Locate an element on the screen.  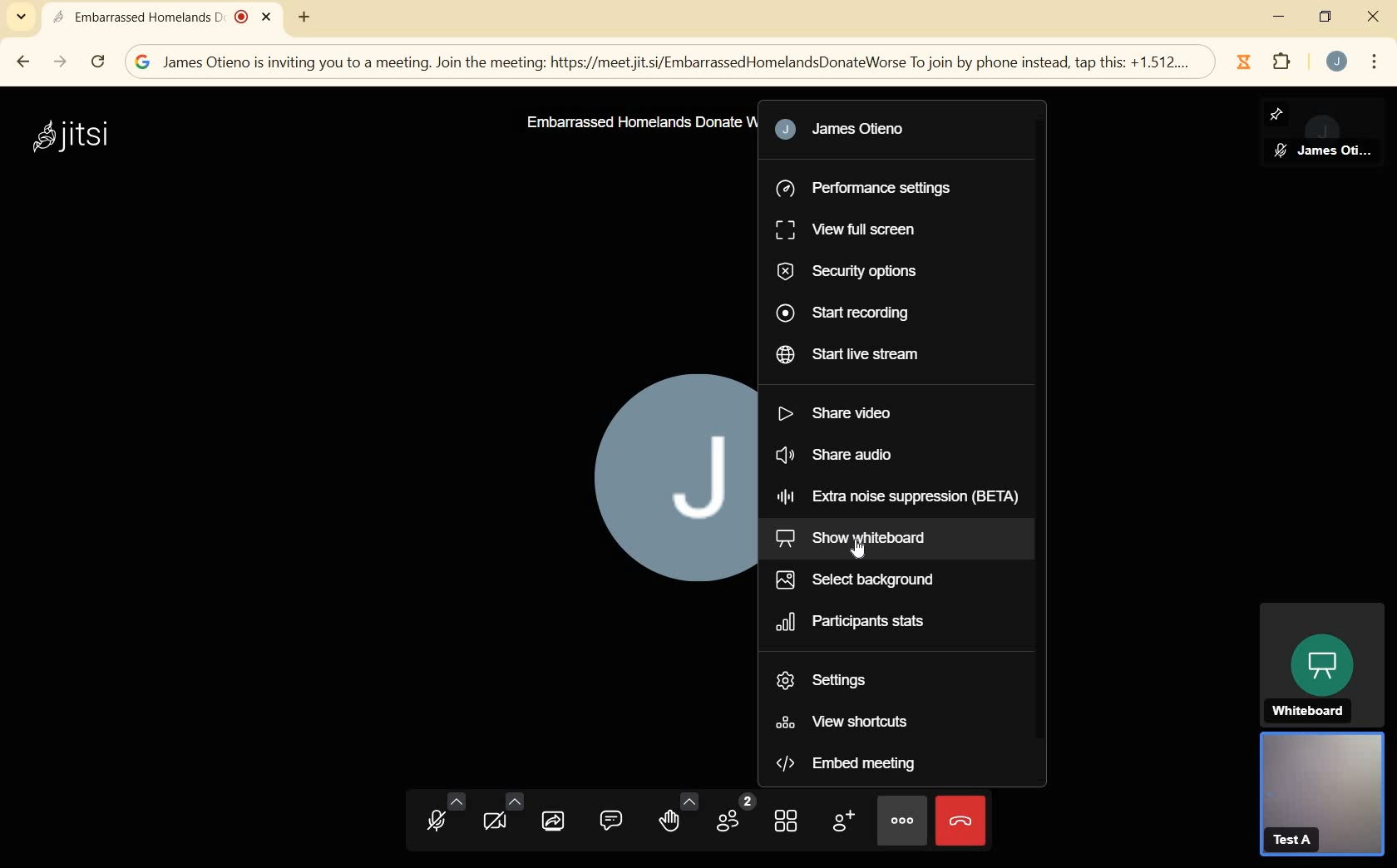
EMBED MEETING is located at coordinates (884, 764).